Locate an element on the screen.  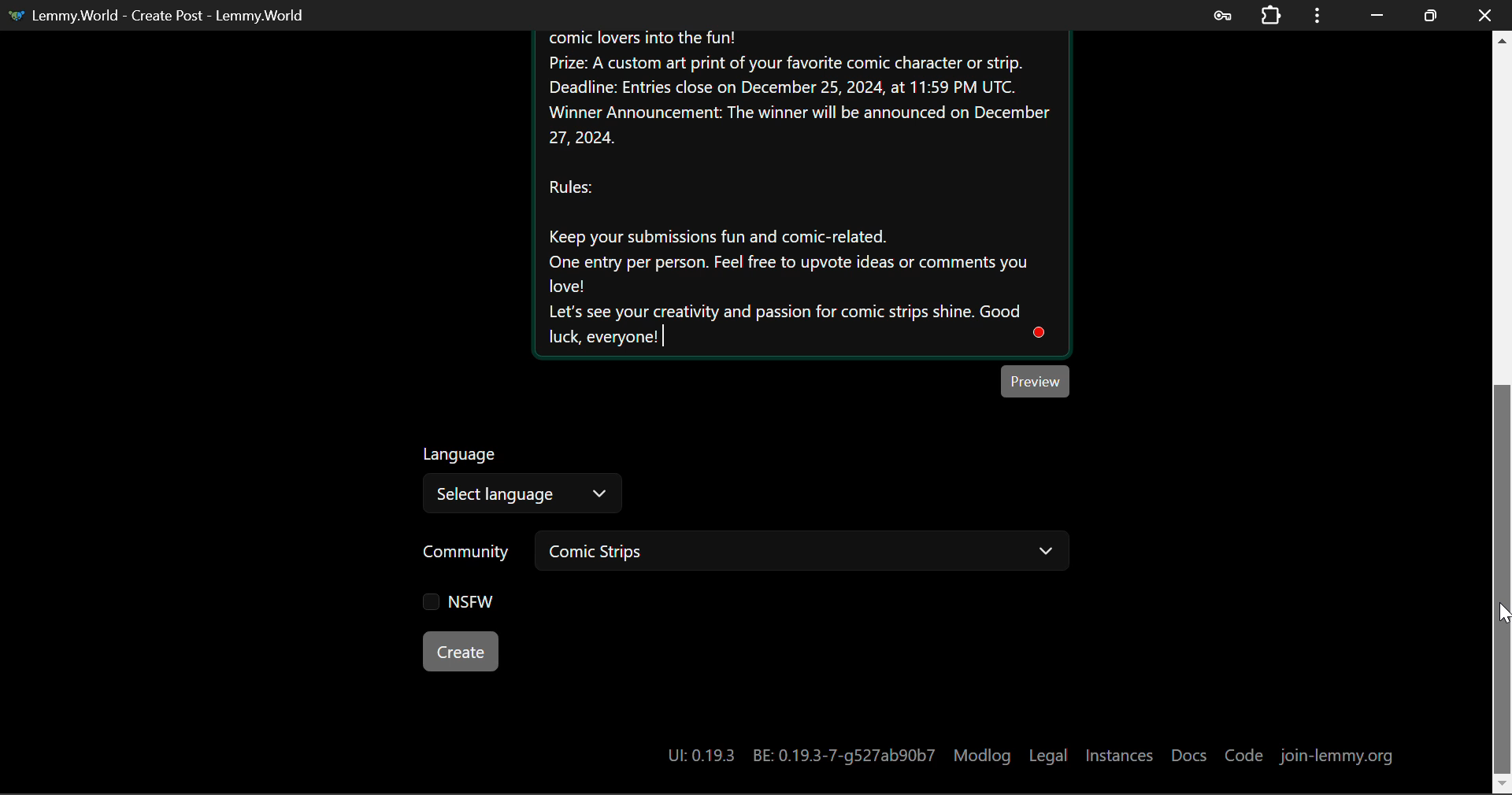
Select Language is located at coordinates (521, 494).